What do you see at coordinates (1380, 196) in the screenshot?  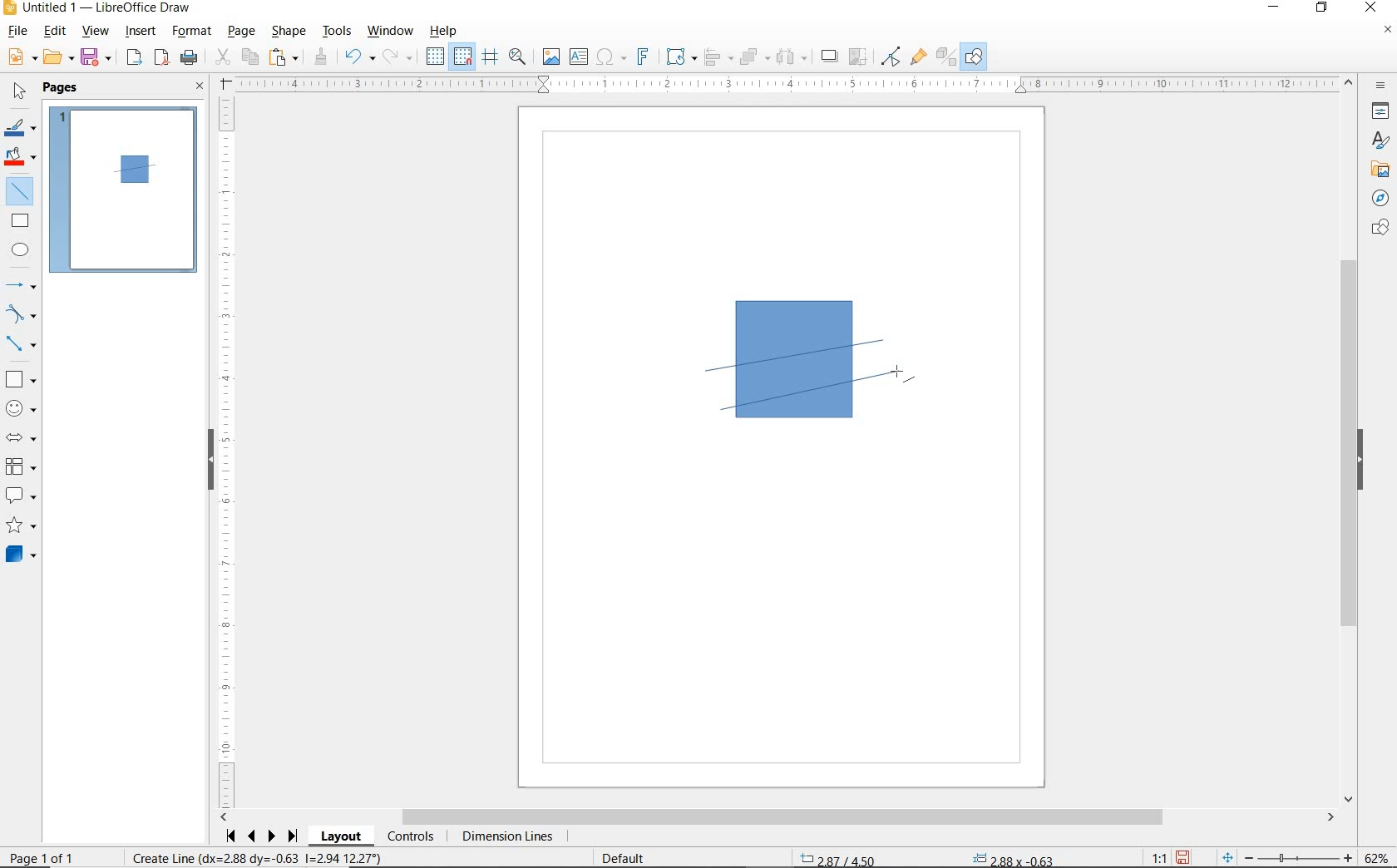 I see `NAVIGATOR` at bounding box center [1380, 196].